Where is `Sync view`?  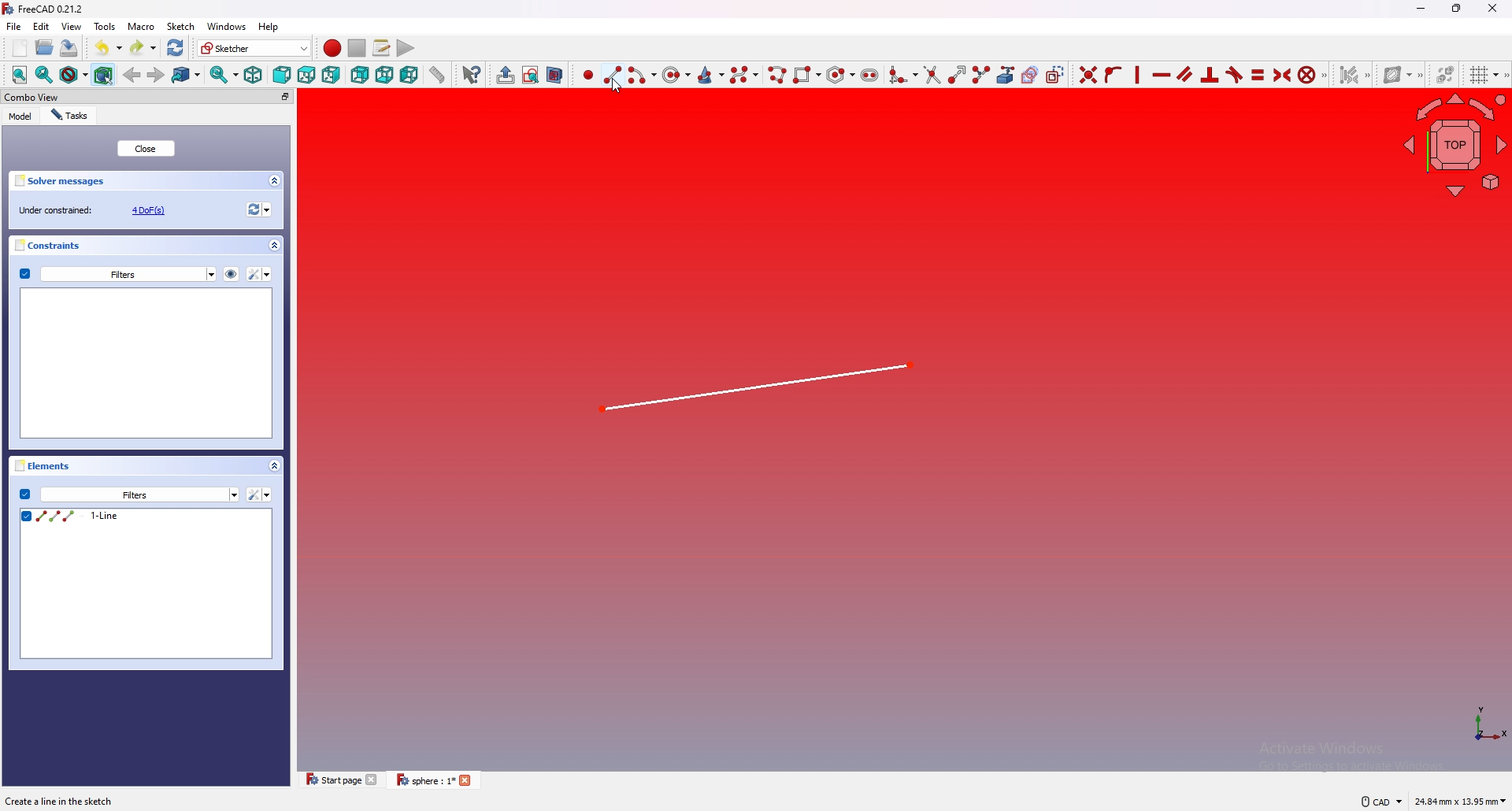 Sync view is located at coordinates (222, 76).